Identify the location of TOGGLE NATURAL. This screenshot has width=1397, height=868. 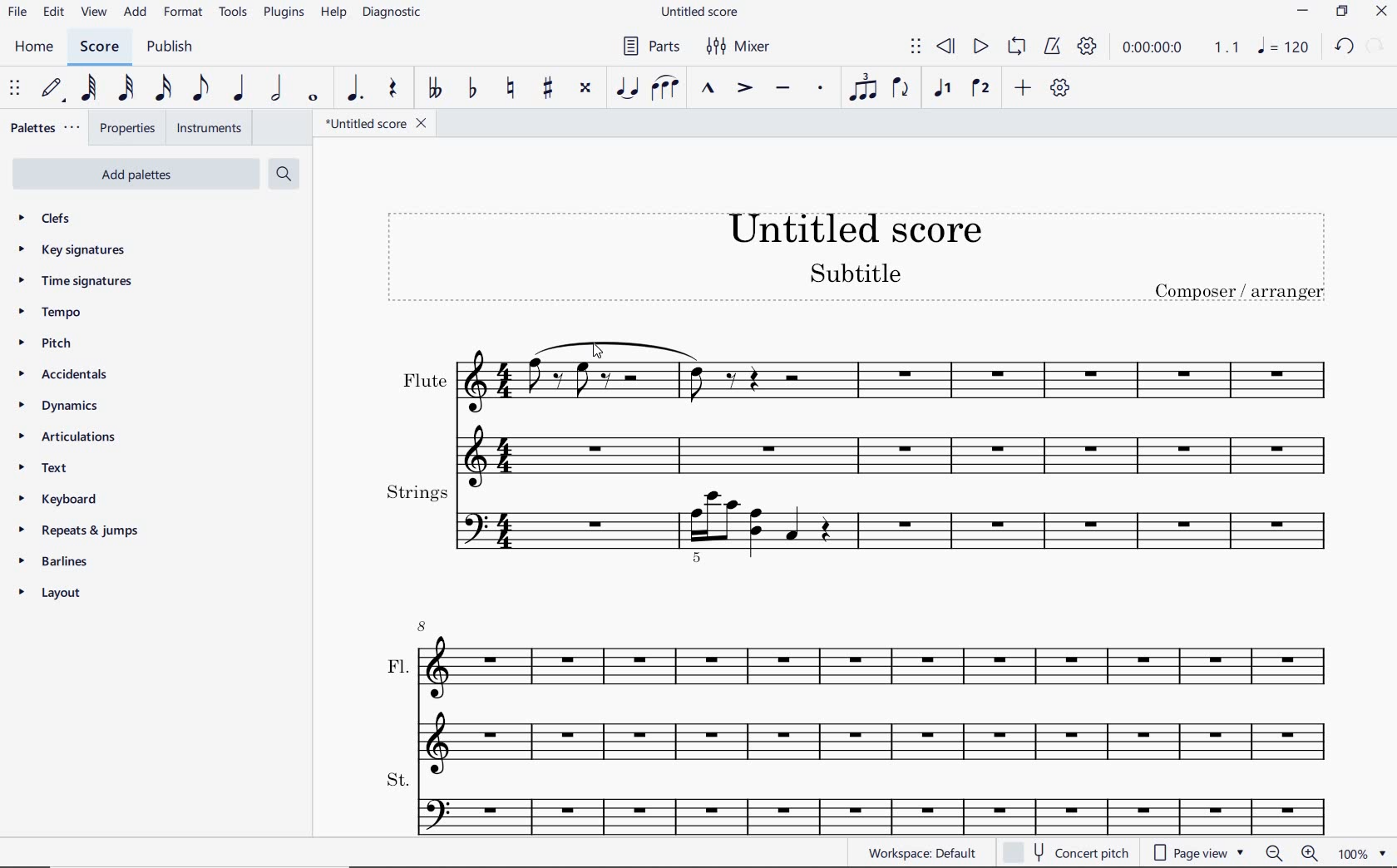
(508, 89).